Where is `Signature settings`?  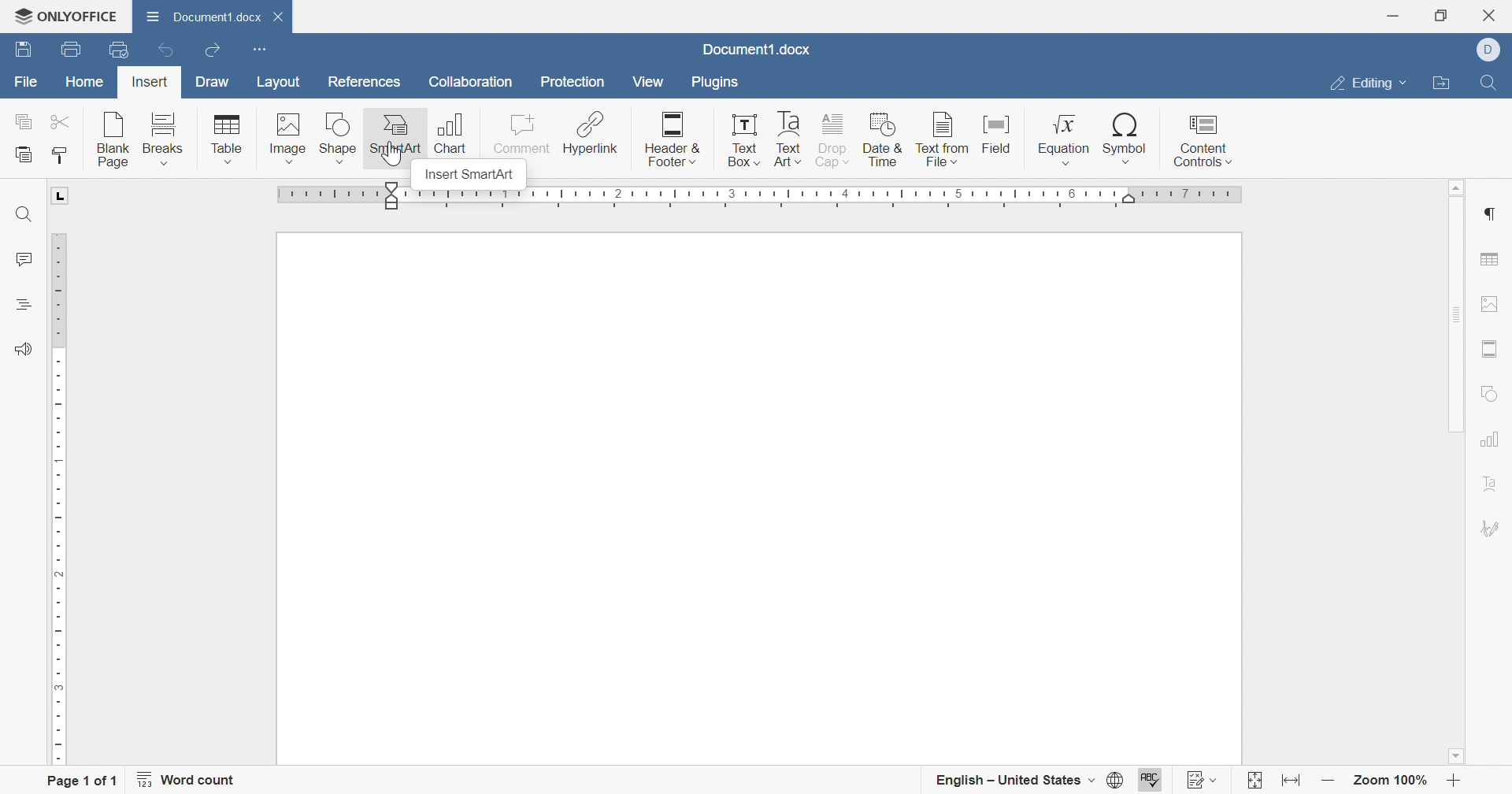 Signature settings is located at coordinates (1489, 531).